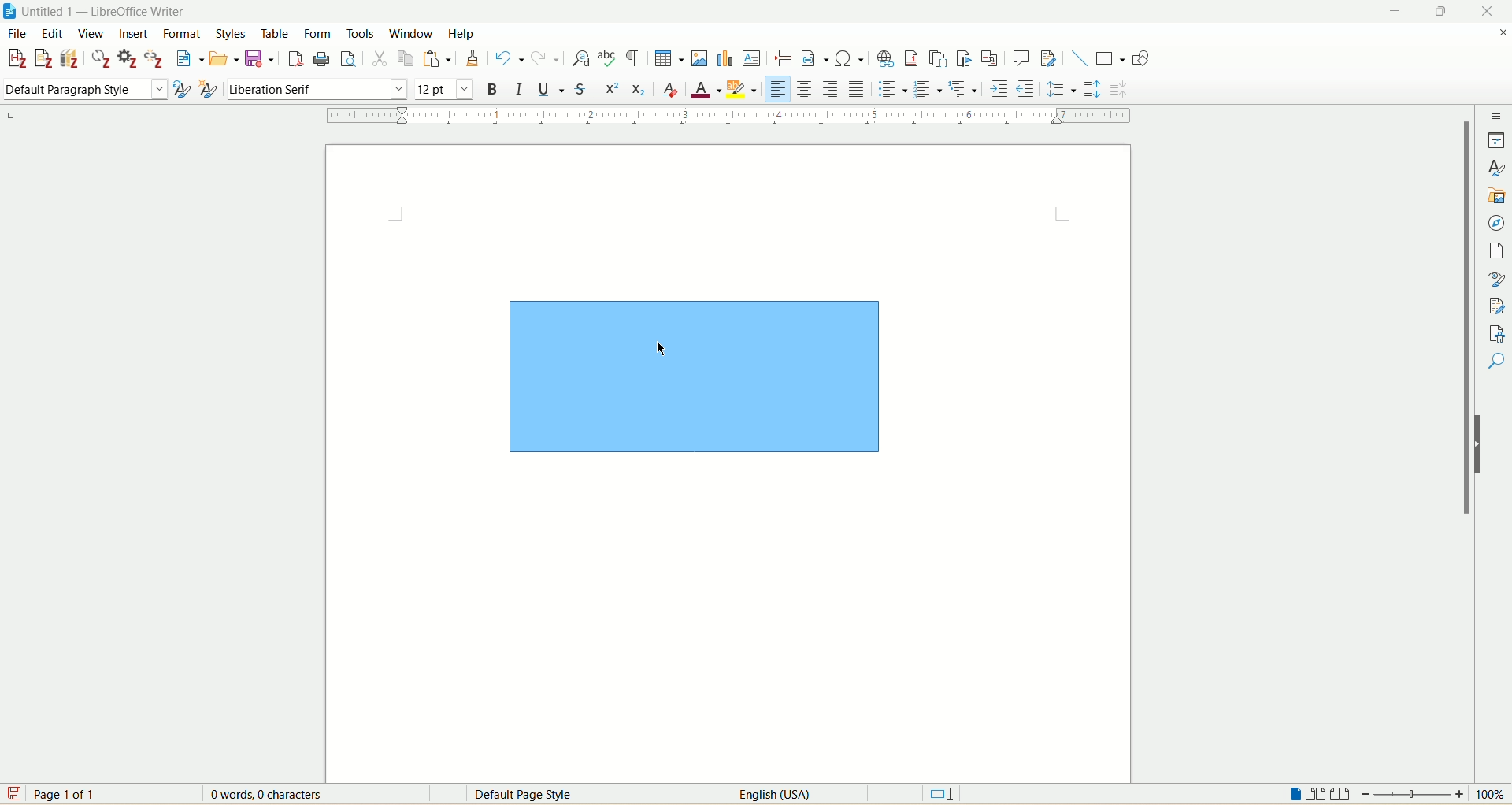 The height and width of the screenshot is (805, 1512). Describe the element at coordinates (725, 60) in the screenshot. I see `insert chart` at that location.